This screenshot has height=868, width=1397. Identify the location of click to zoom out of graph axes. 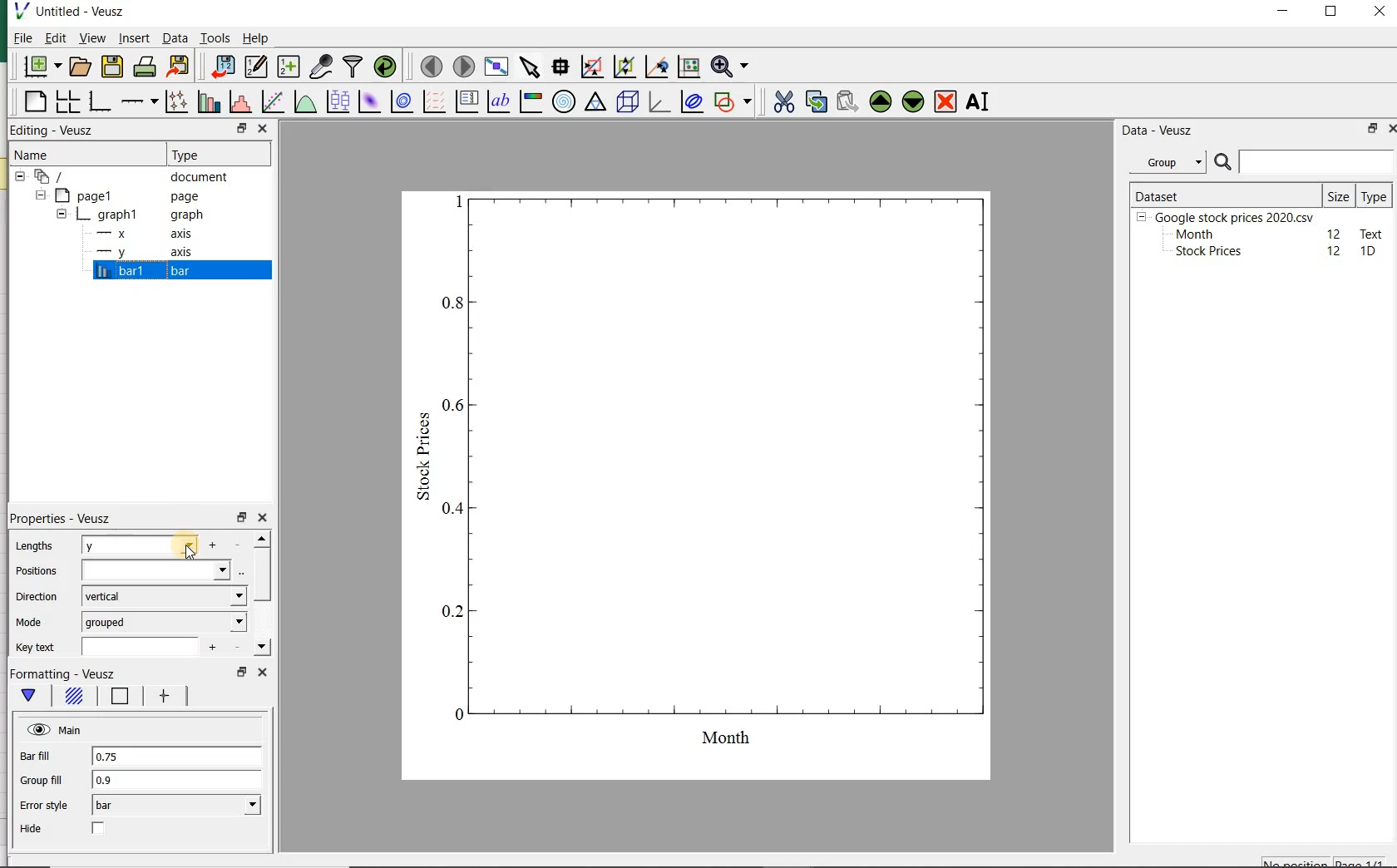
(623, 65).